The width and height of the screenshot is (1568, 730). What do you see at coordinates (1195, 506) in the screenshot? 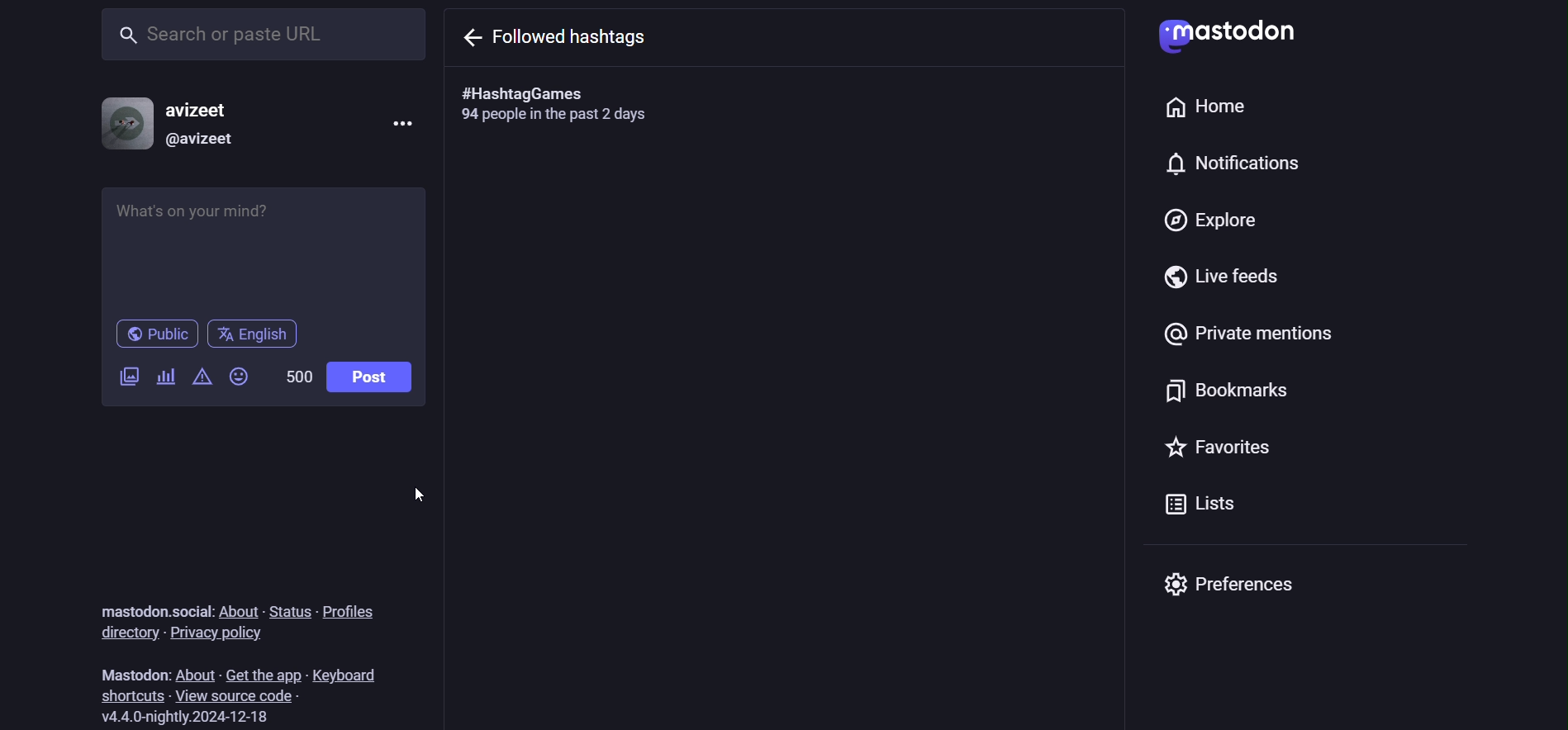
I see `lists` at bounding box center [1195, 506].